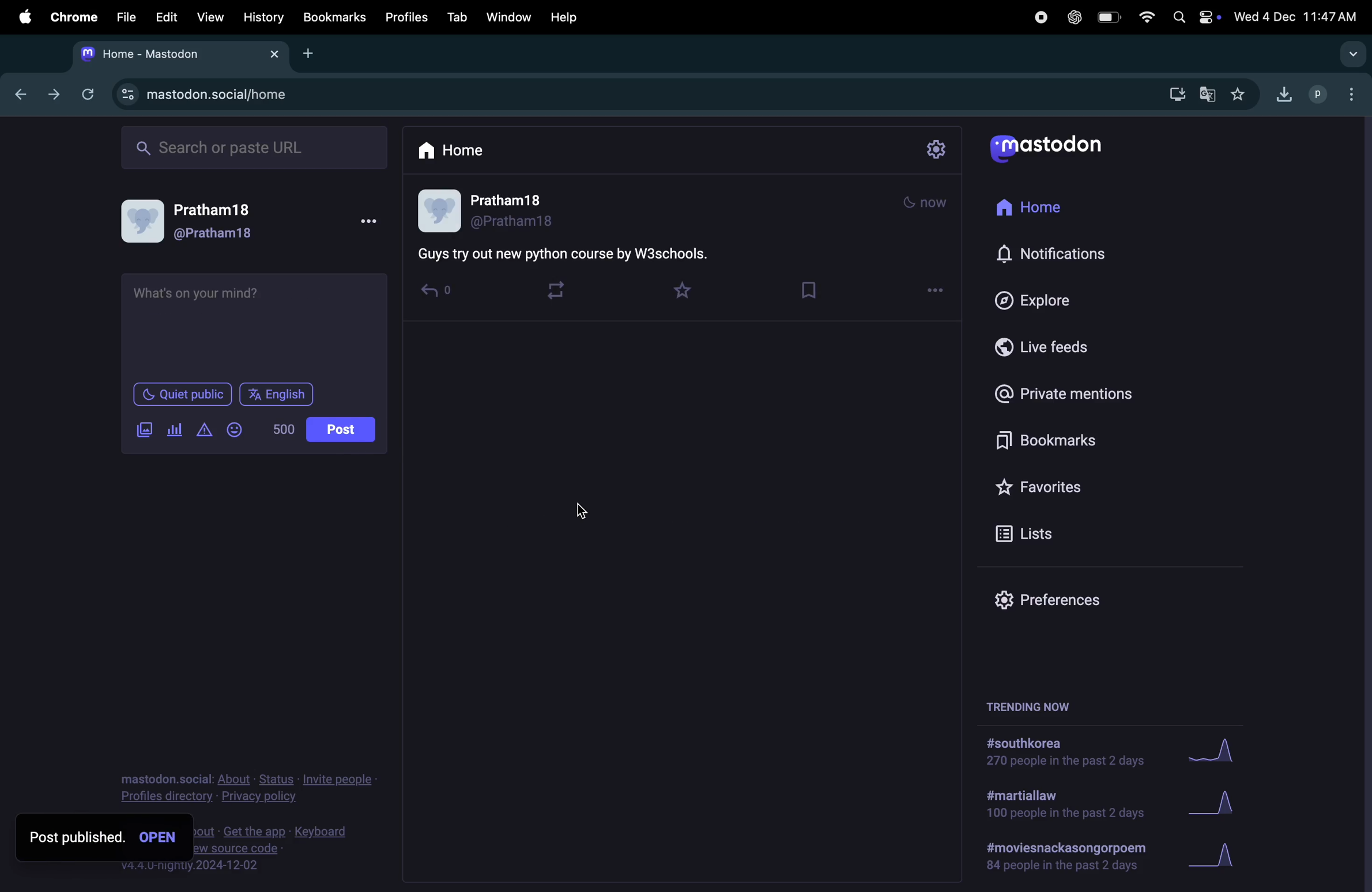  I want to click on live feeds, so click(1045, 351).